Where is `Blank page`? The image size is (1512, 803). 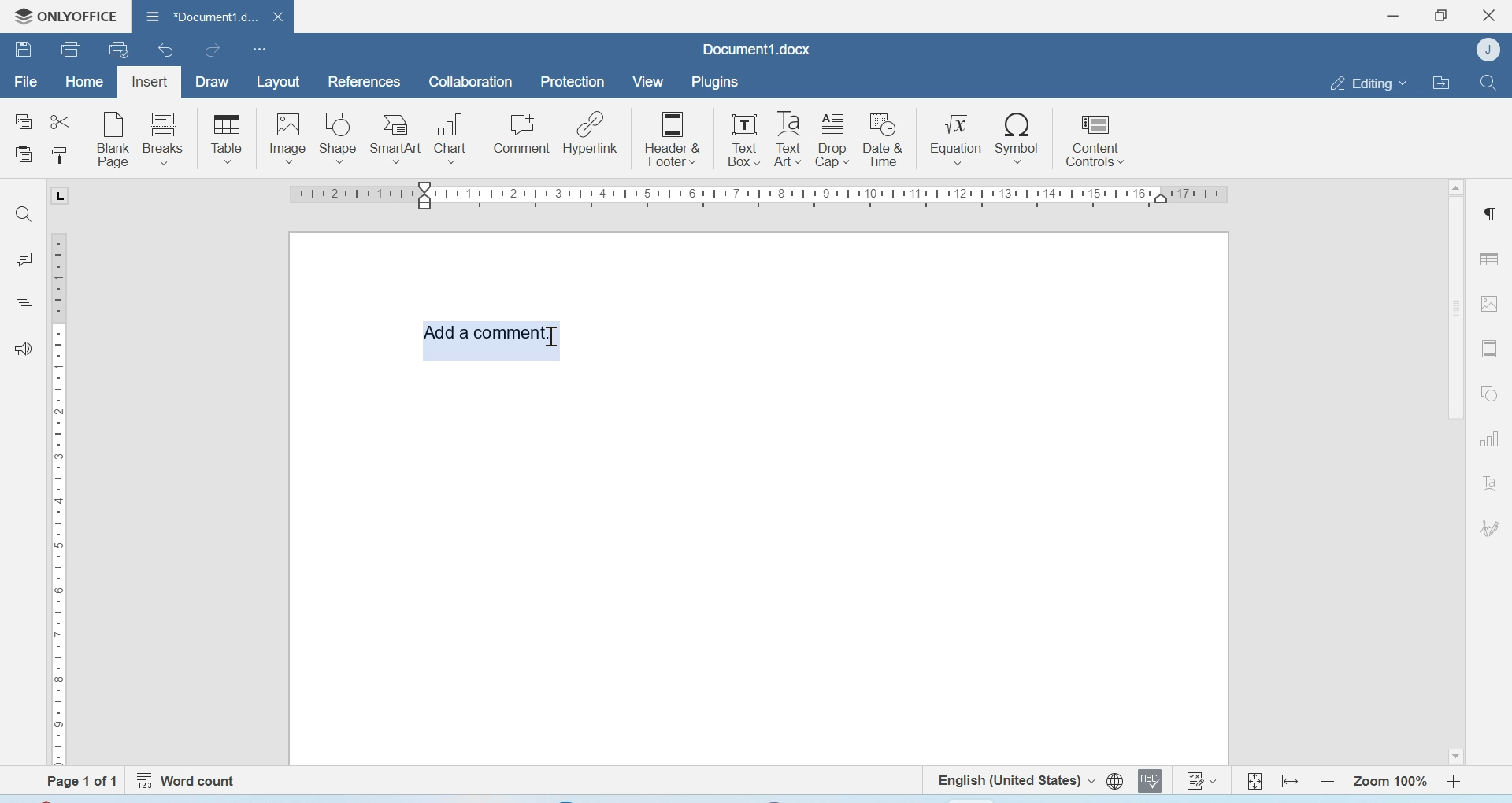 Blank page is located at coordinates (114, 139).